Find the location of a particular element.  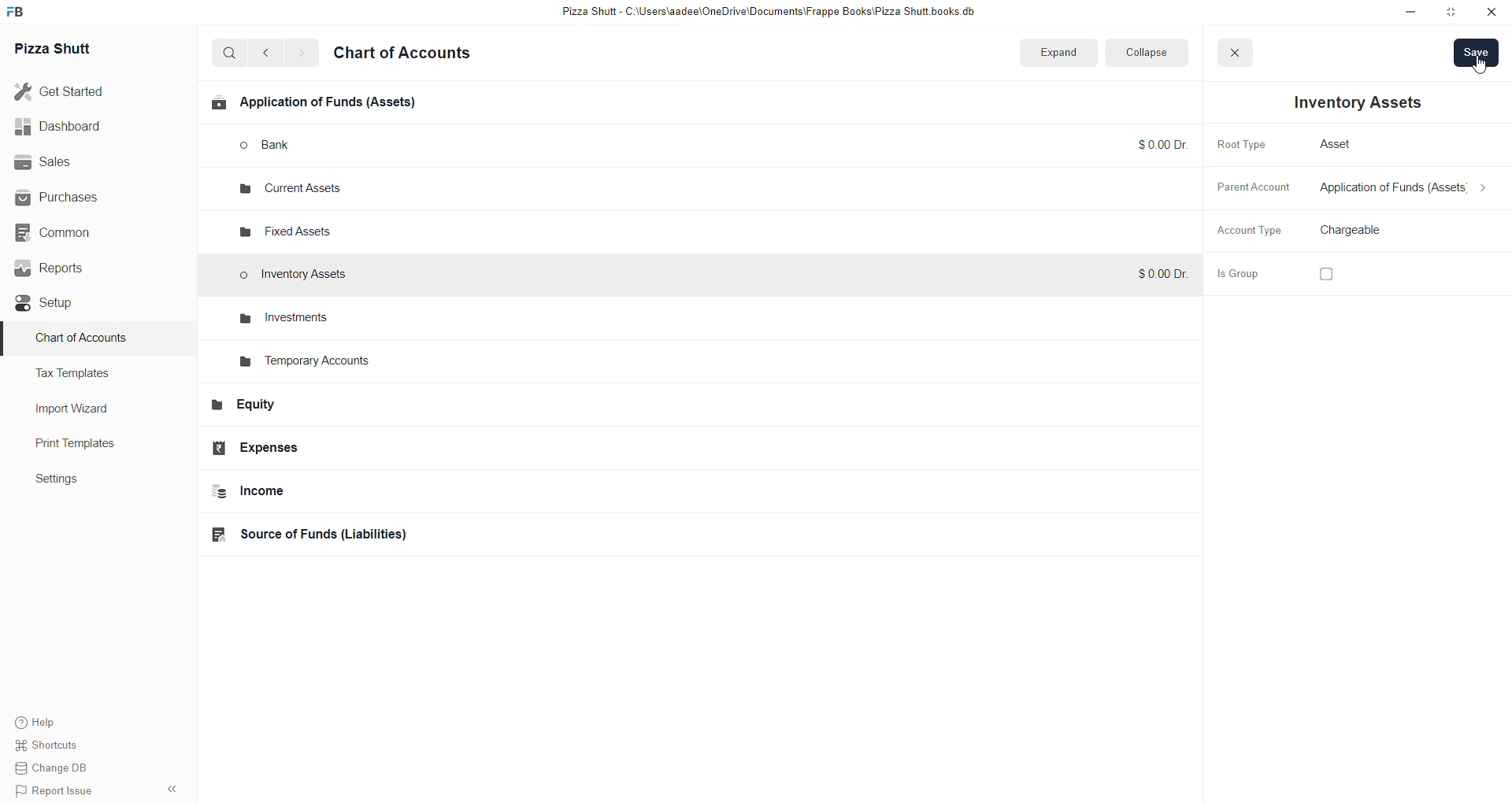

minimize  is located at coordinates (1402, 13).